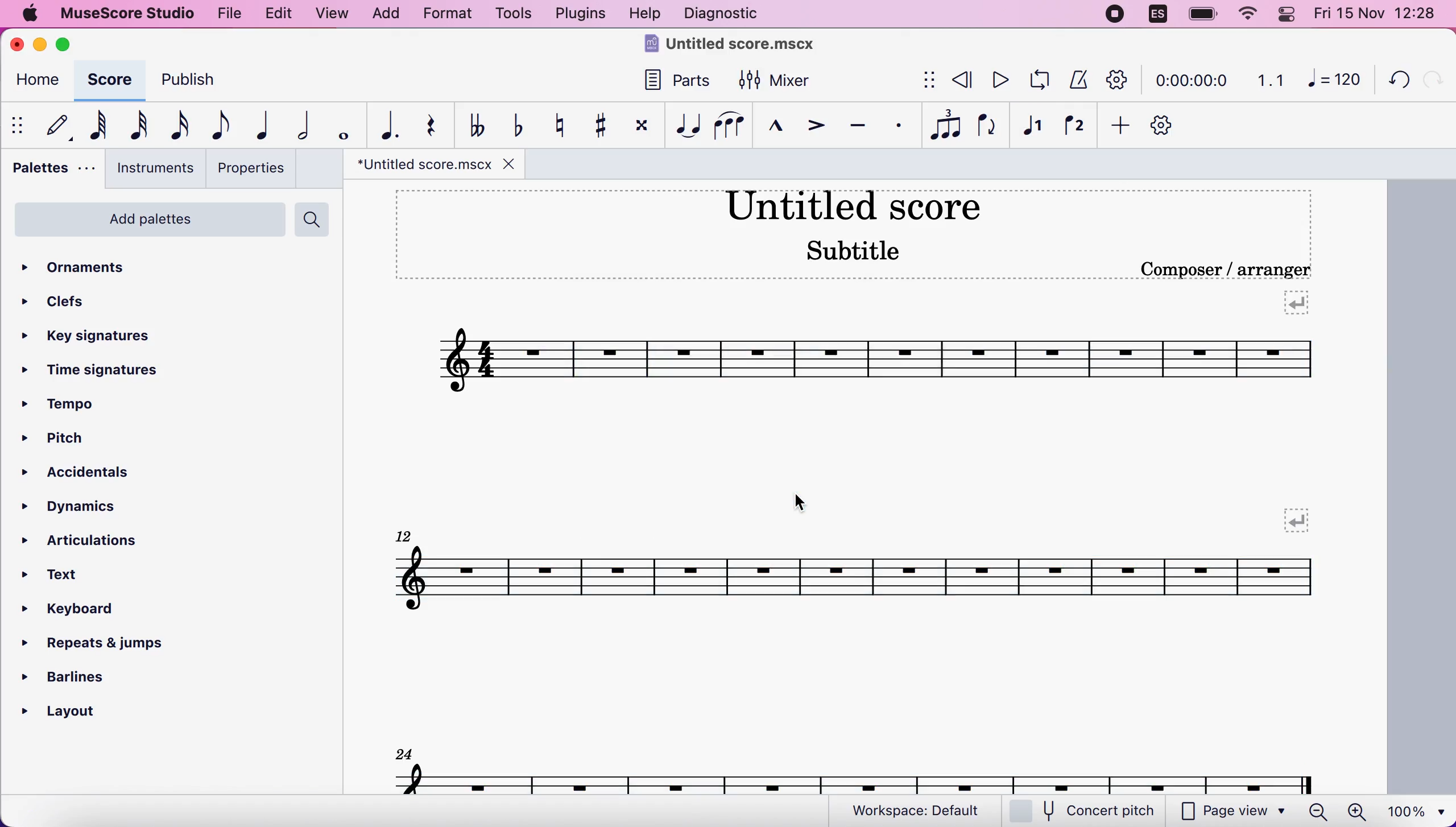 The image size is (1456, 827). Describe the element at coordinates (1334, 78) in the screenshot. I see `120` at that location.